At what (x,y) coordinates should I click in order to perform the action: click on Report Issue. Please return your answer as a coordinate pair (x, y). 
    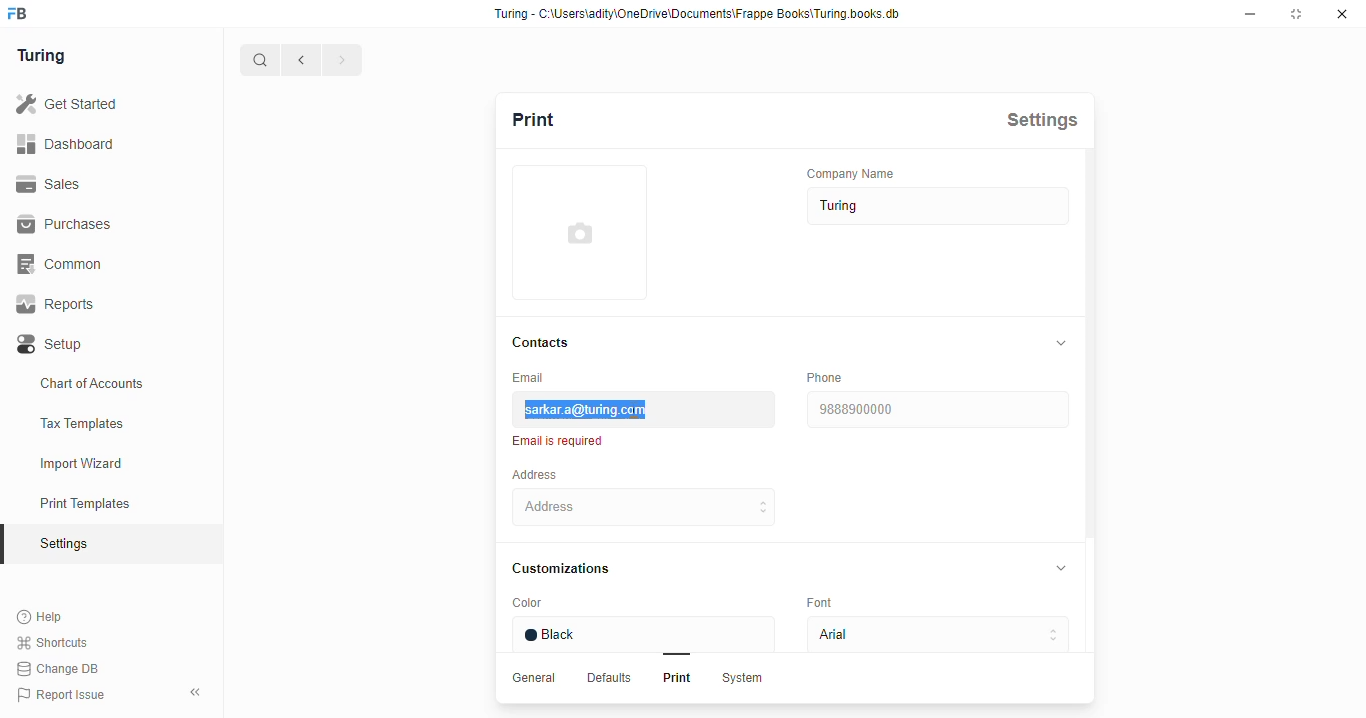
    Looking at the image, I should click on (70, 692).